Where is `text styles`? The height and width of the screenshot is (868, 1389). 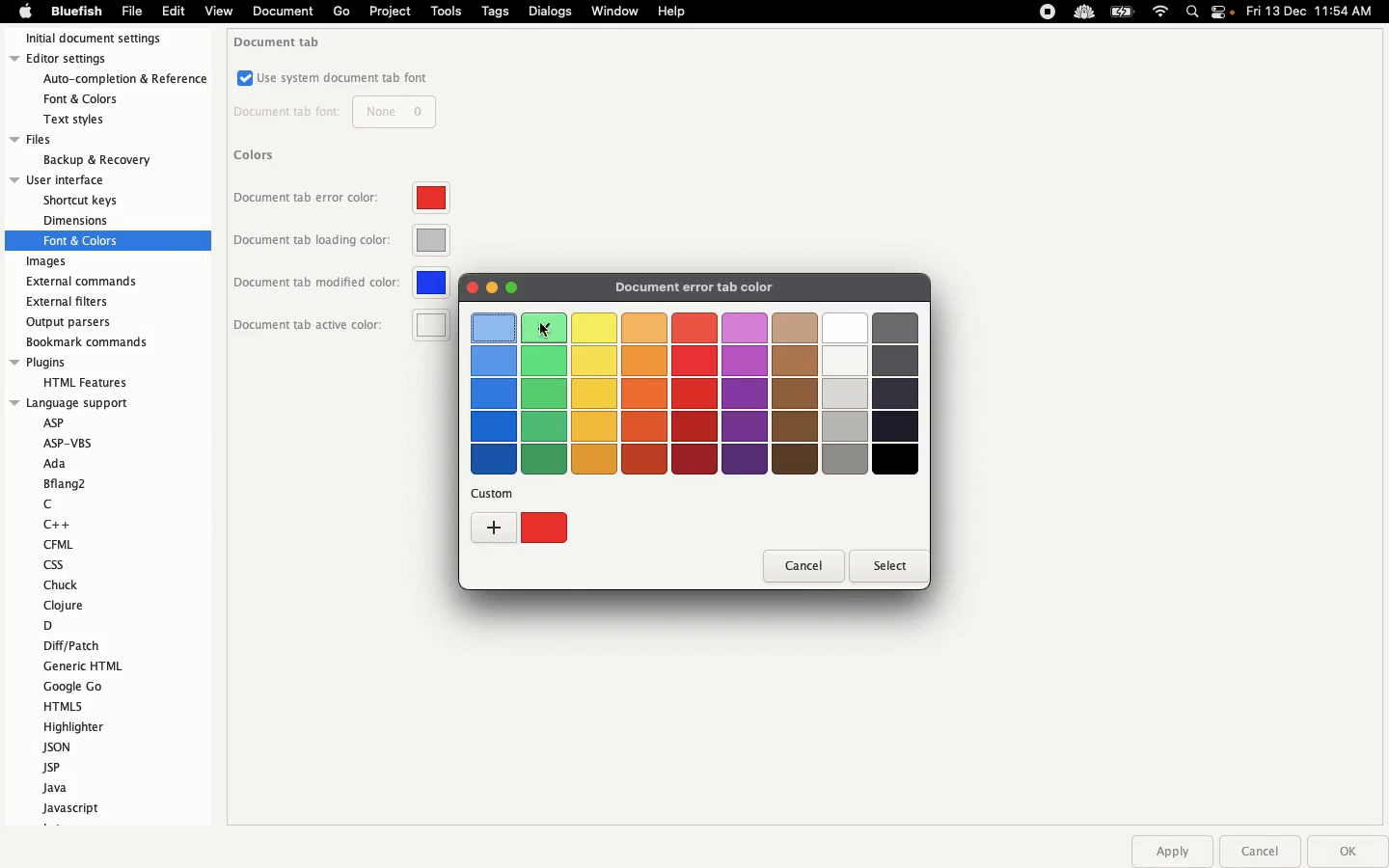
text styles is located at coordinates (87, 120).